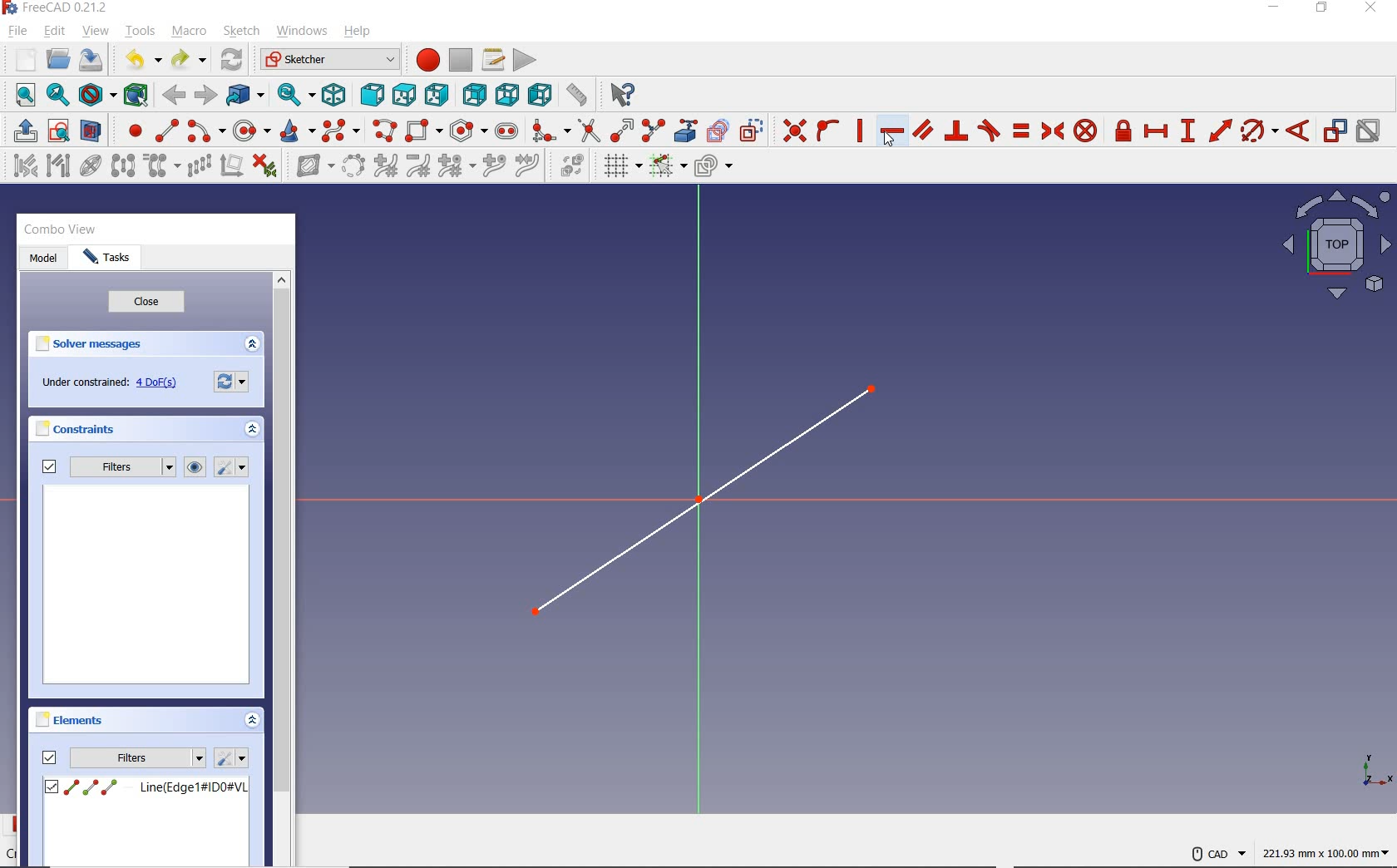 The width and height of the screenshot is (1397, 868). What do you see at coordinates (59, 96) in the screenshot?
I see `FIT SELECTION` at bounding box center [59, 96].